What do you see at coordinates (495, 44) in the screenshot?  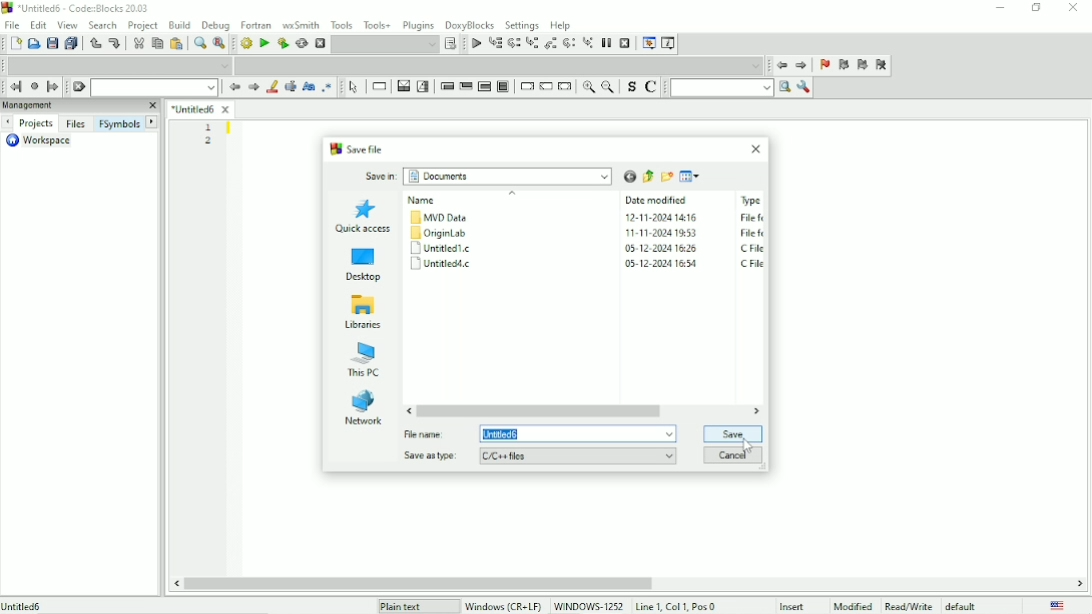 I see `Run to cursor` at bounding box center [495, 44].